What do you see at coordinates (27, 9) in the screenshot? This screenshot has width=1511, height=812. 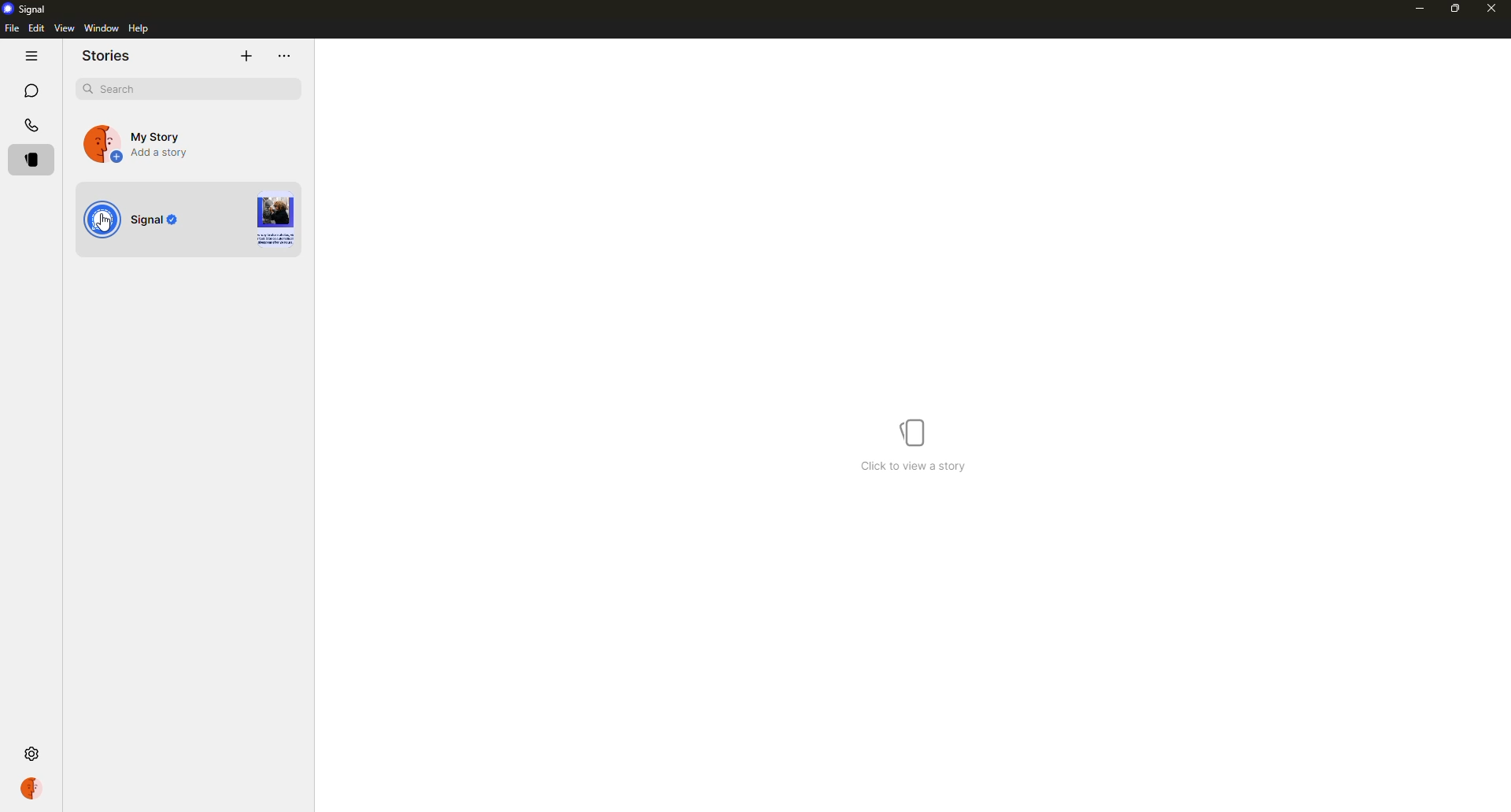 I see `signal` at bounding box center [27, 9].